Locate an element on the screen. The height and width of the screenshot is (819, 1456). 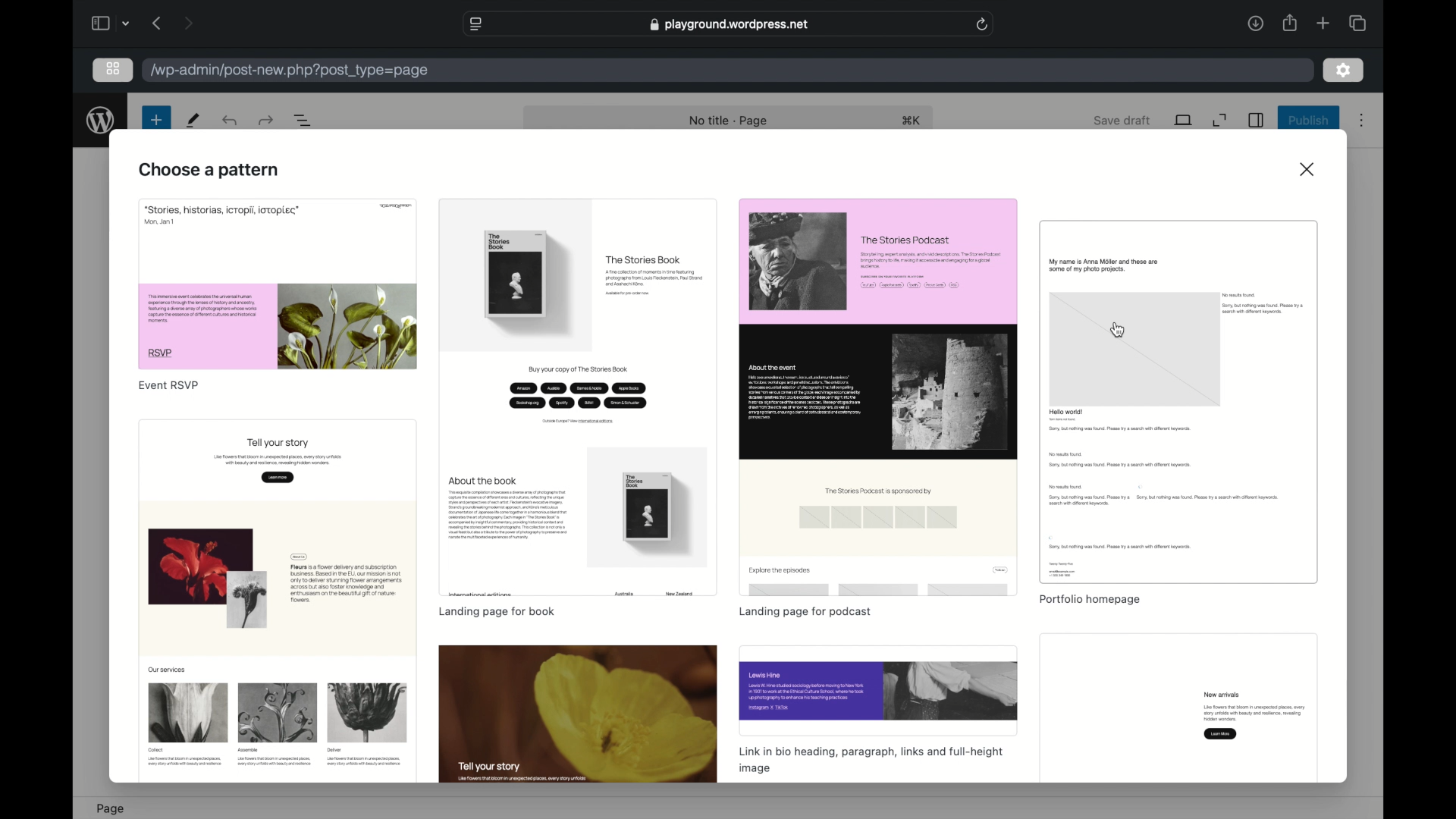
shortcut is located at coordinates (912, 121).